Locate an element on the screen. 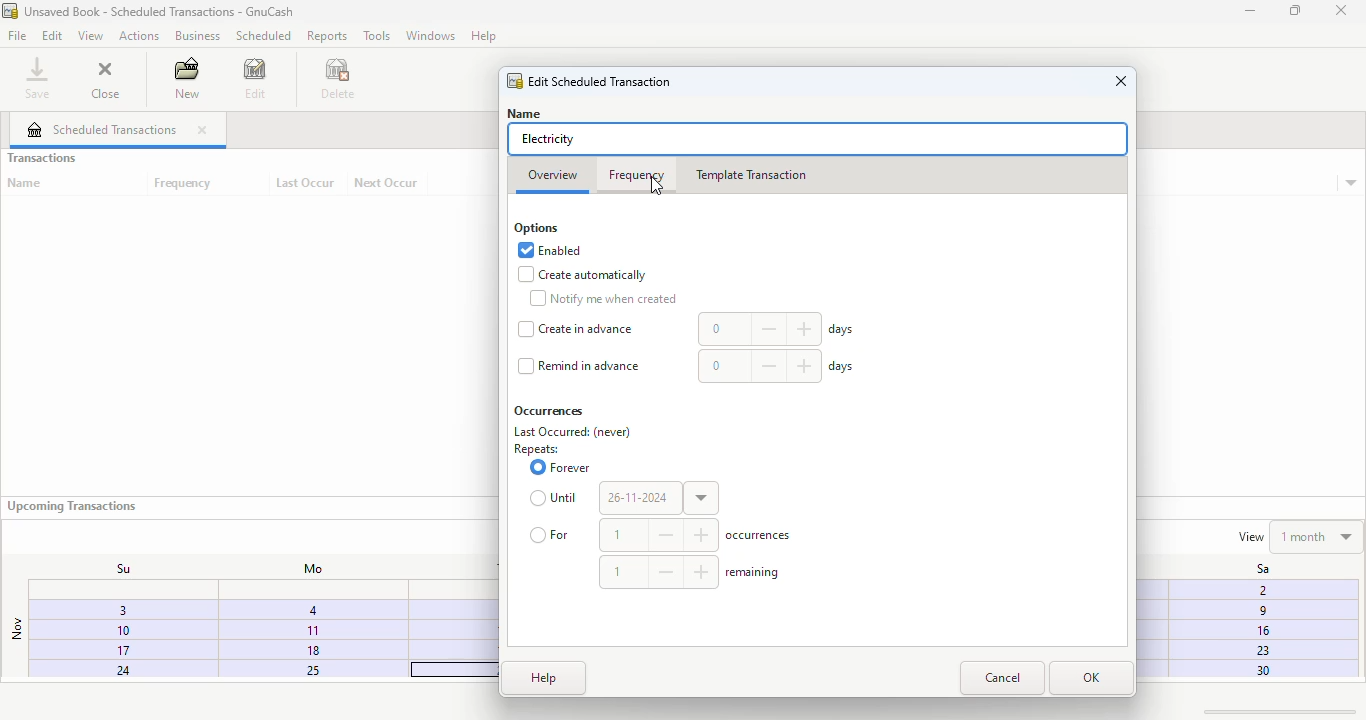  3 is located at coordinates (111, 613).